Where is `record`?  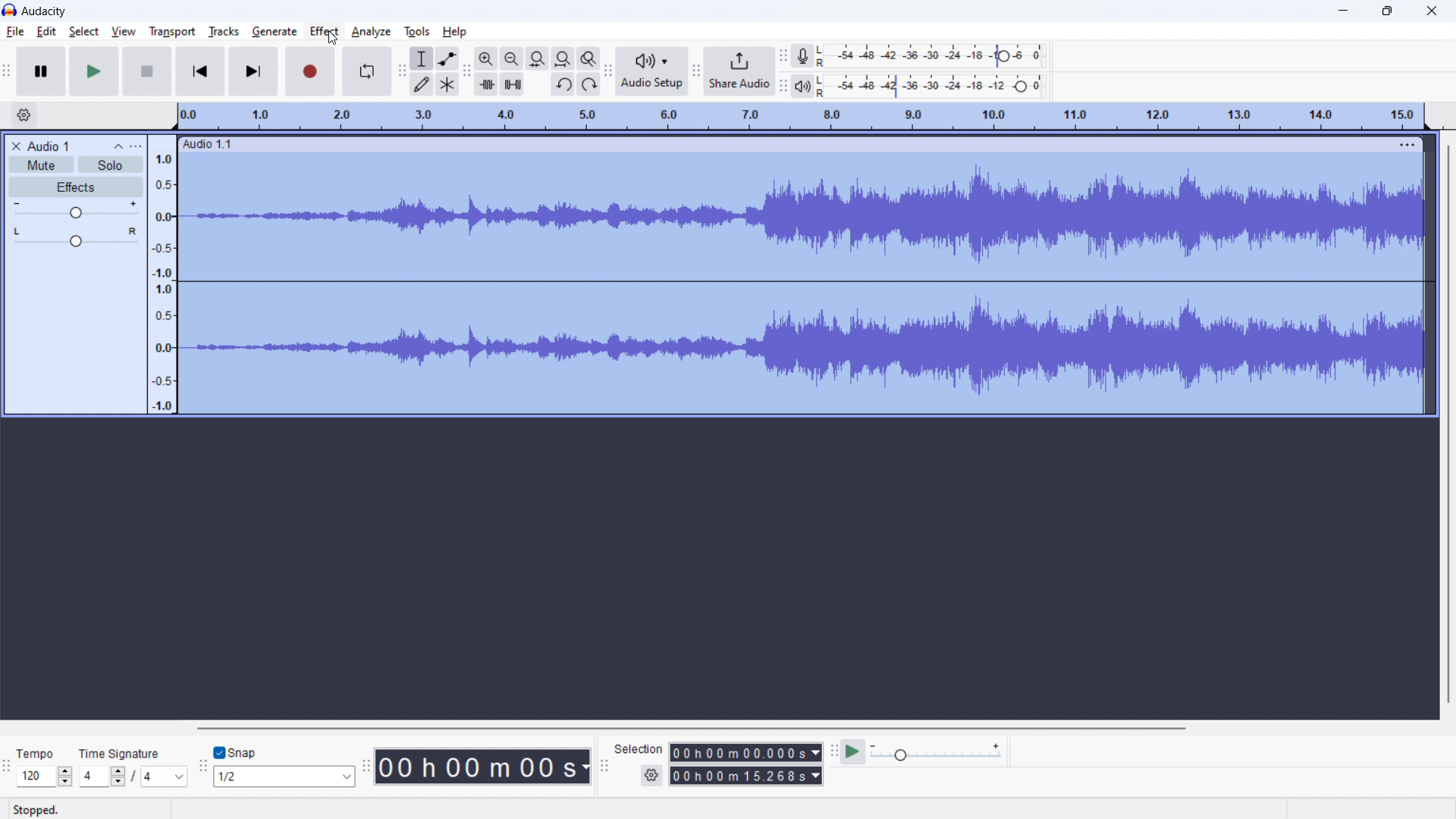
record is located at coordinates (311, 71).